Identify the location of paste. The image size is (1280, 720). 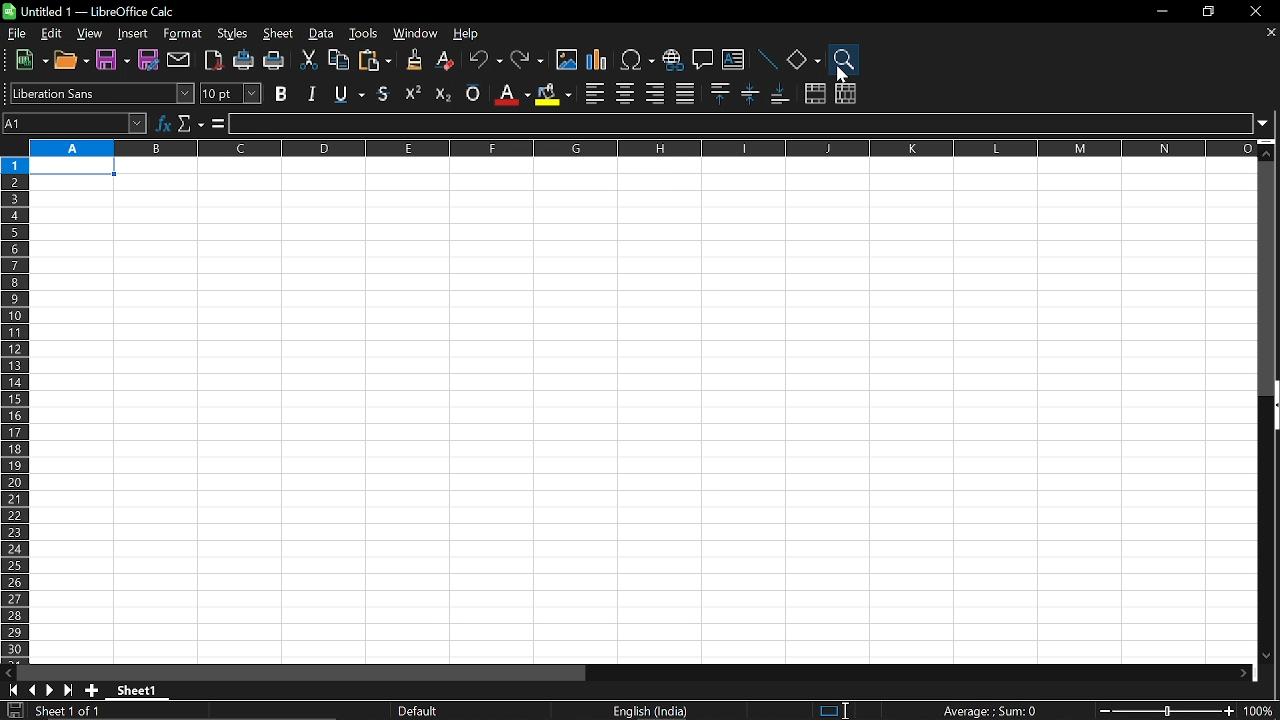
(374, 62).